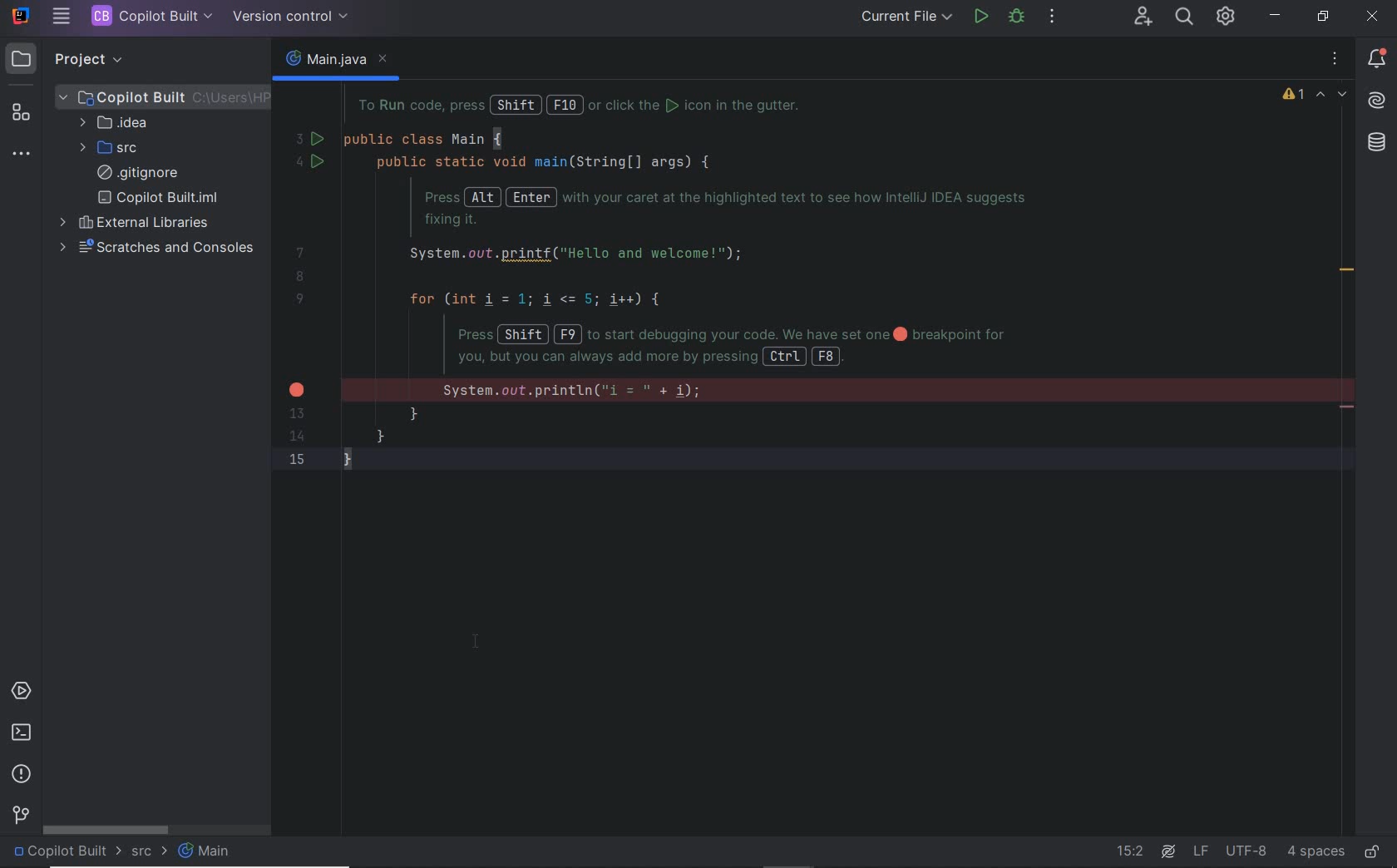 Image resolution: width=1397 pixels, height=868 pixels. What do you see at coordinates (1335, 61) in the screenshot?
I see `options` at bounding box center [1335, 61].